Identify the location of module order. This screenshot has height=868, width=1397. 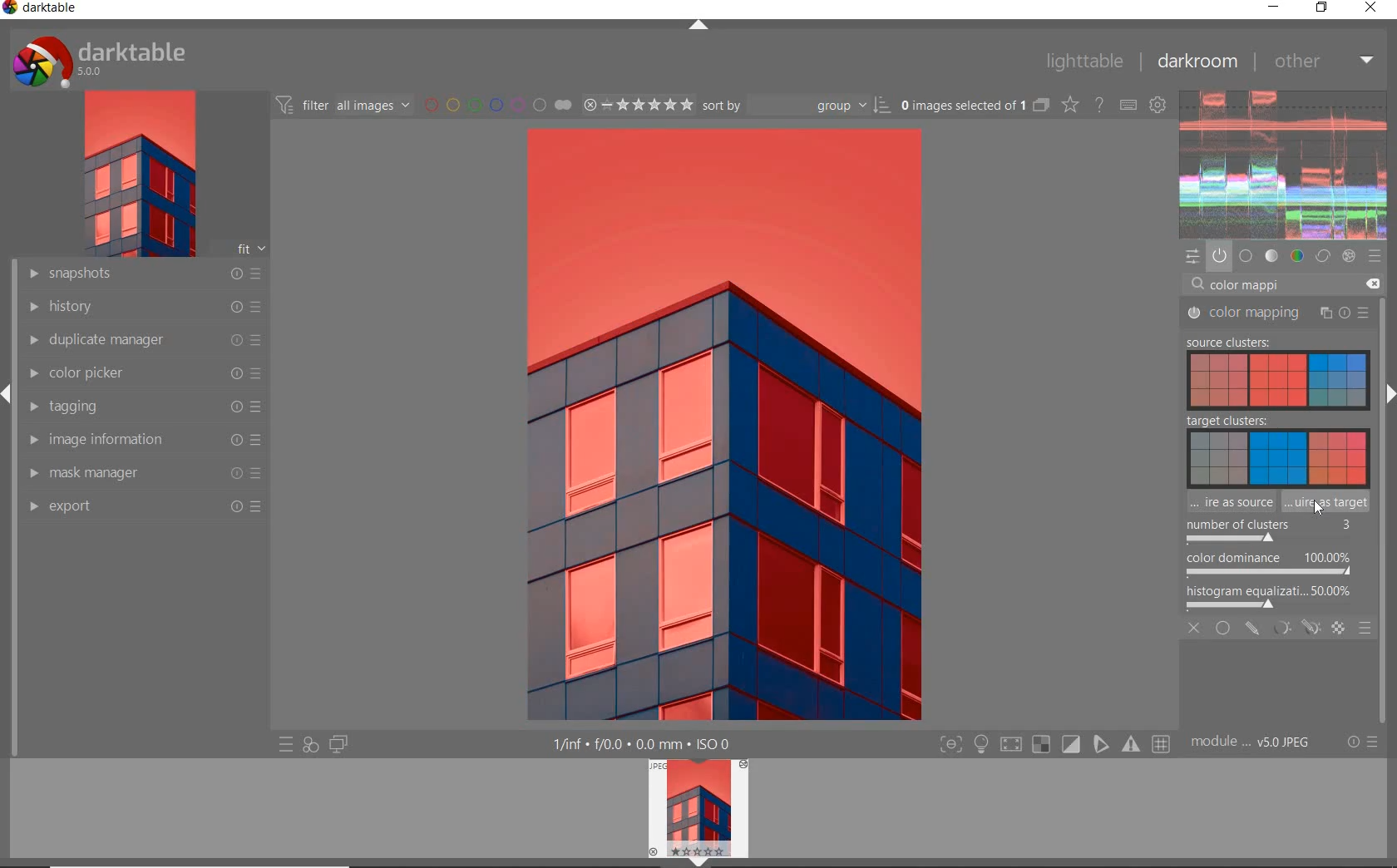
(1252, 742).